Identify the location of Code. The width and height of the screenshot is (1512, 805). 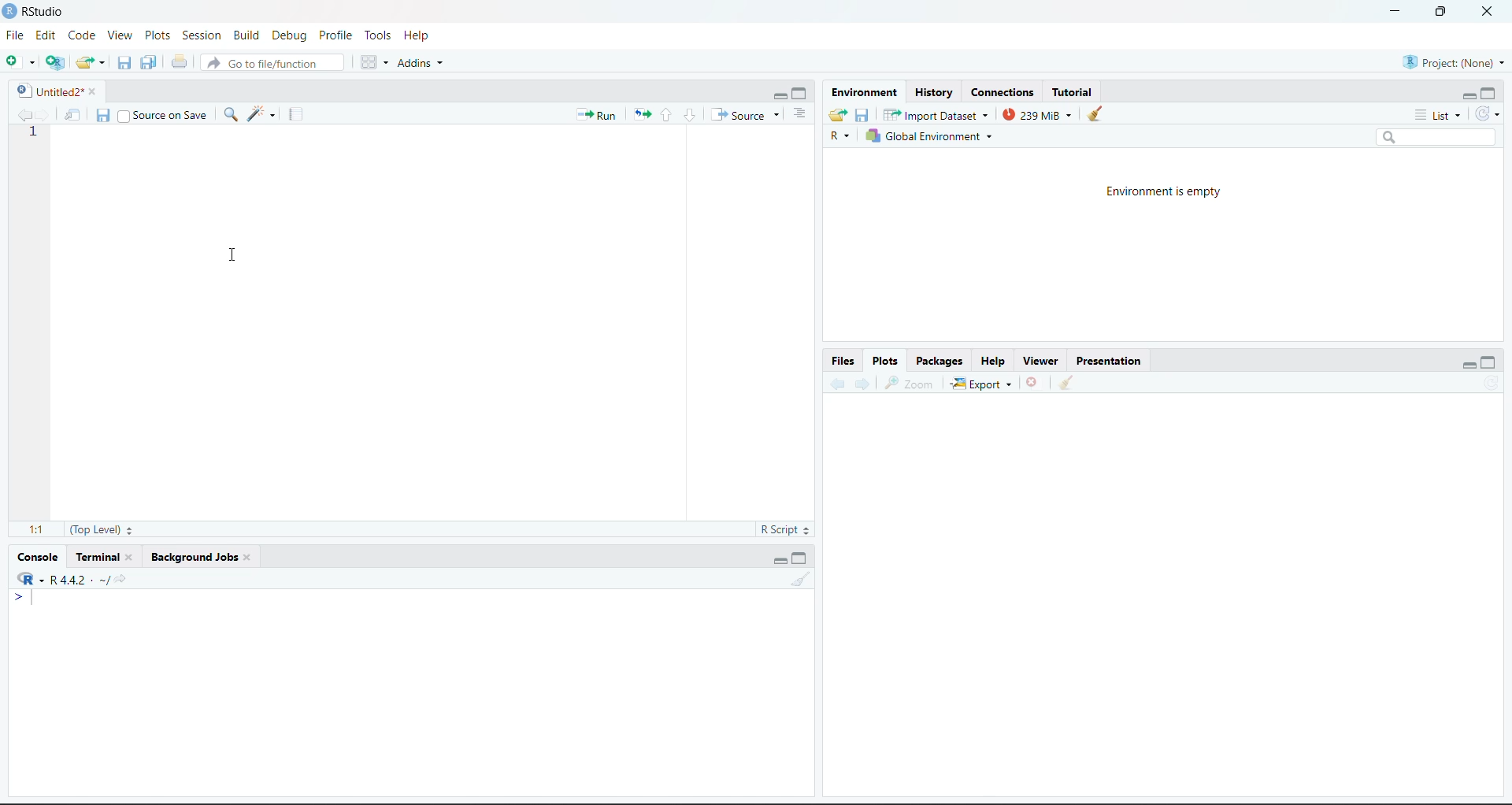
(85, 34).